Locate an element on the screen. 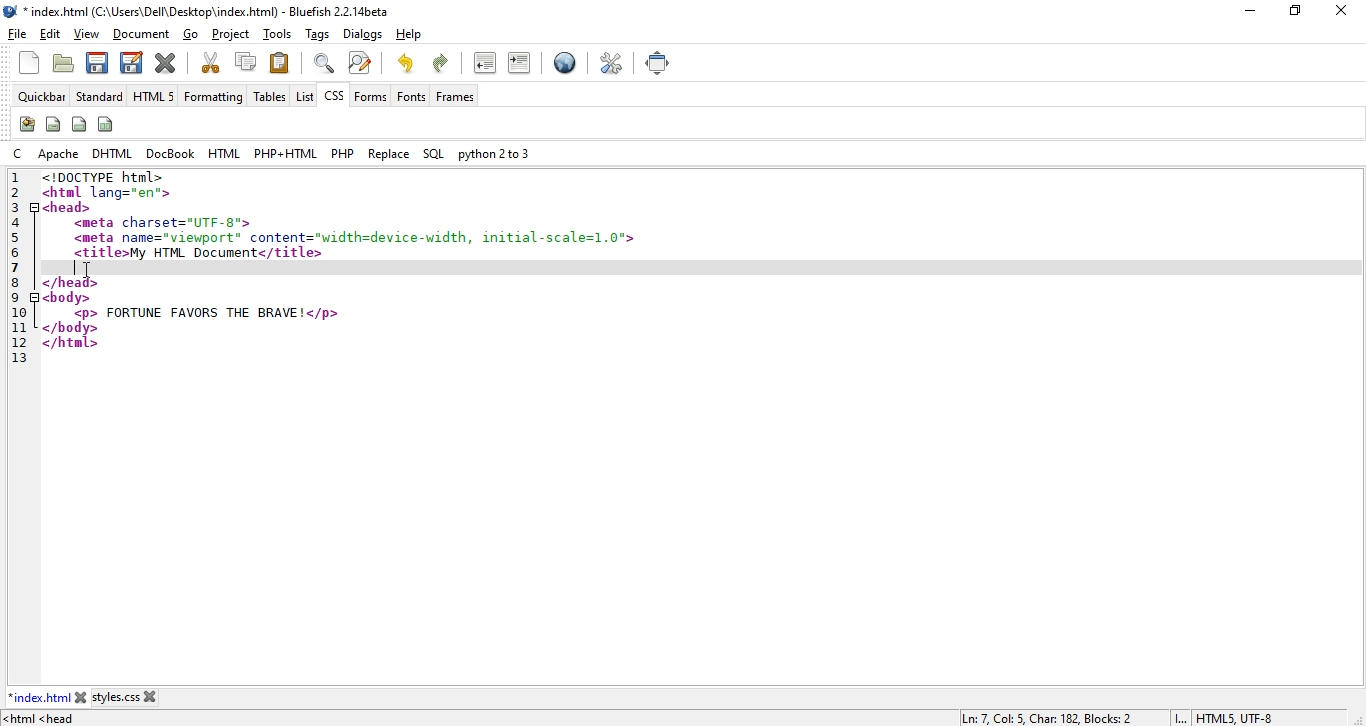 This screenshot has width=1366, height=726. fonts is located at coordinates (411, 96).